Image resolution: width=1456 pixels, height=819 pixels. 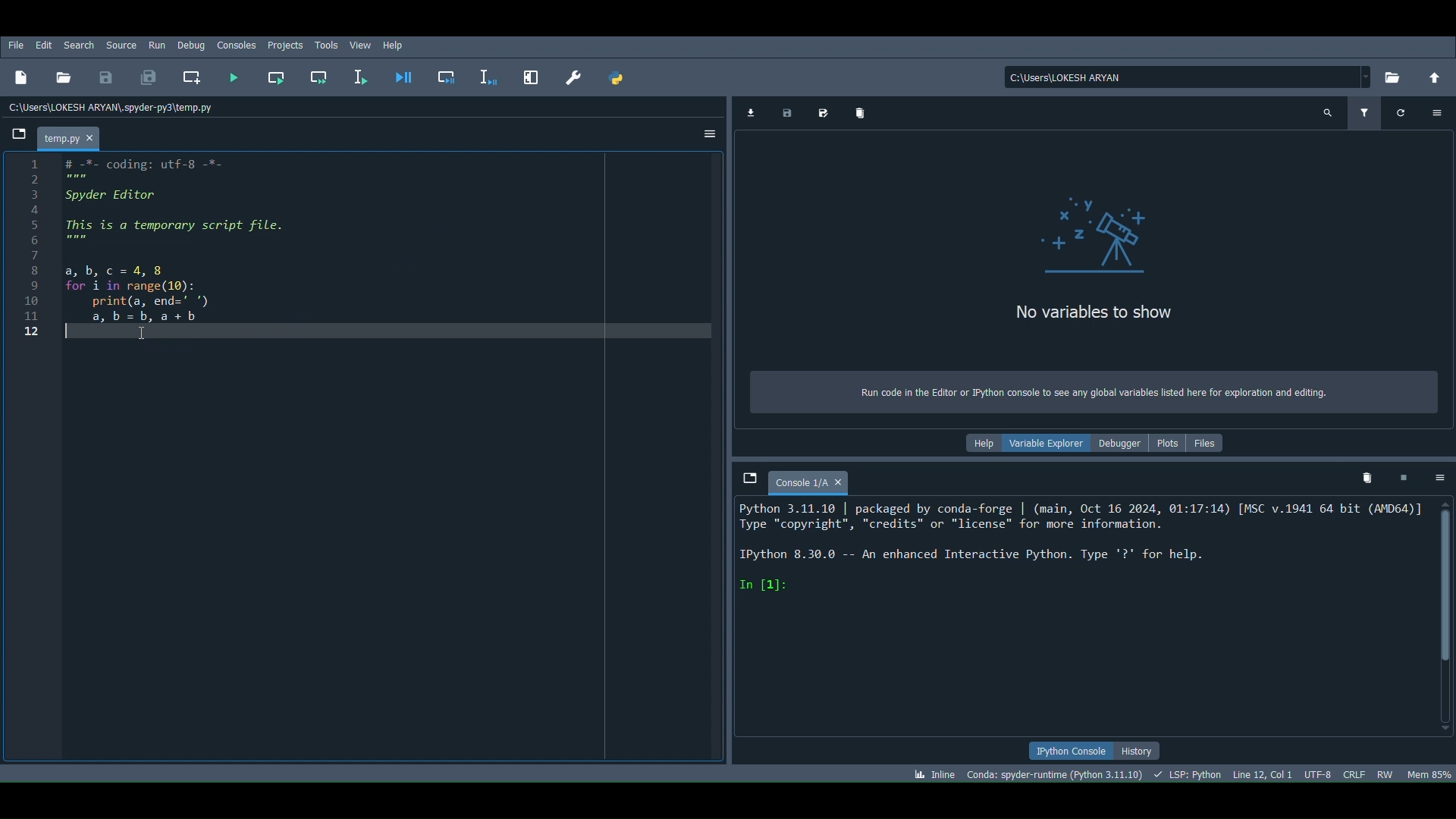 What do you see at coordinates (1448, 617) in the screenshot?
I see `Scrollbar` at bounding box center [1448, 617].